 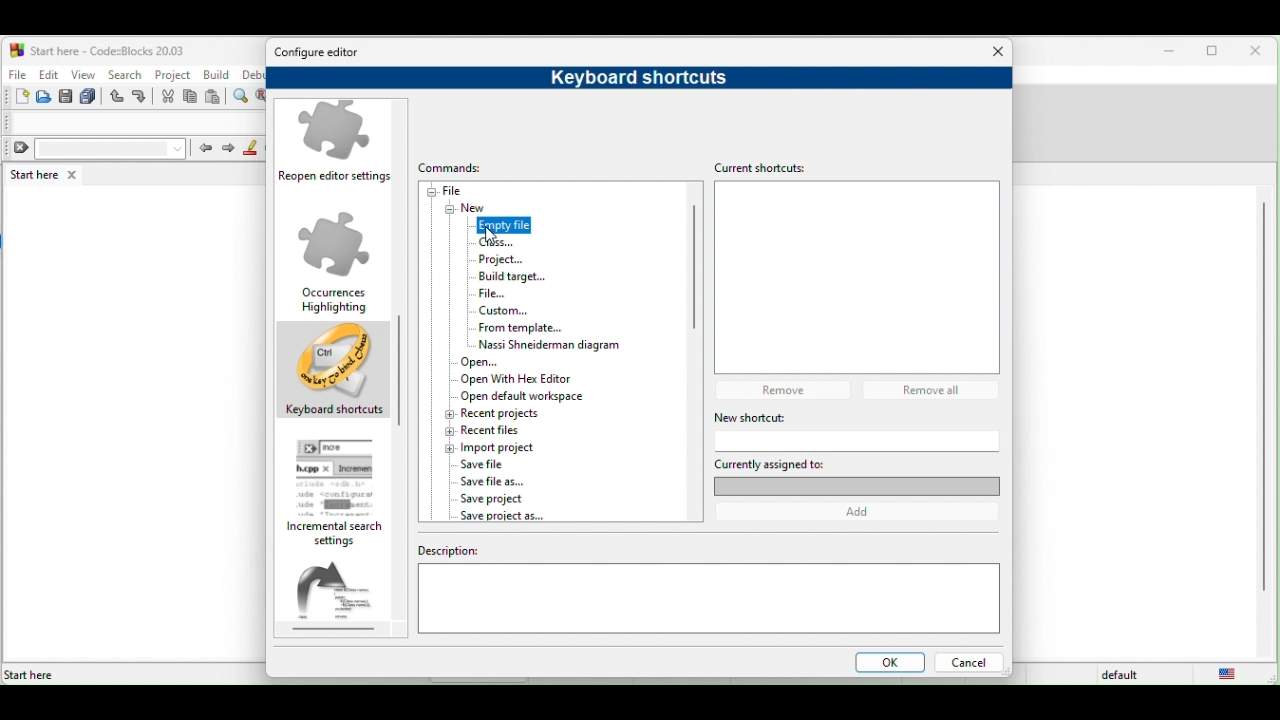 What do you see at coordinates (204, 147) in the screenshot?
I see `prev` at bounding box center [204, 147].